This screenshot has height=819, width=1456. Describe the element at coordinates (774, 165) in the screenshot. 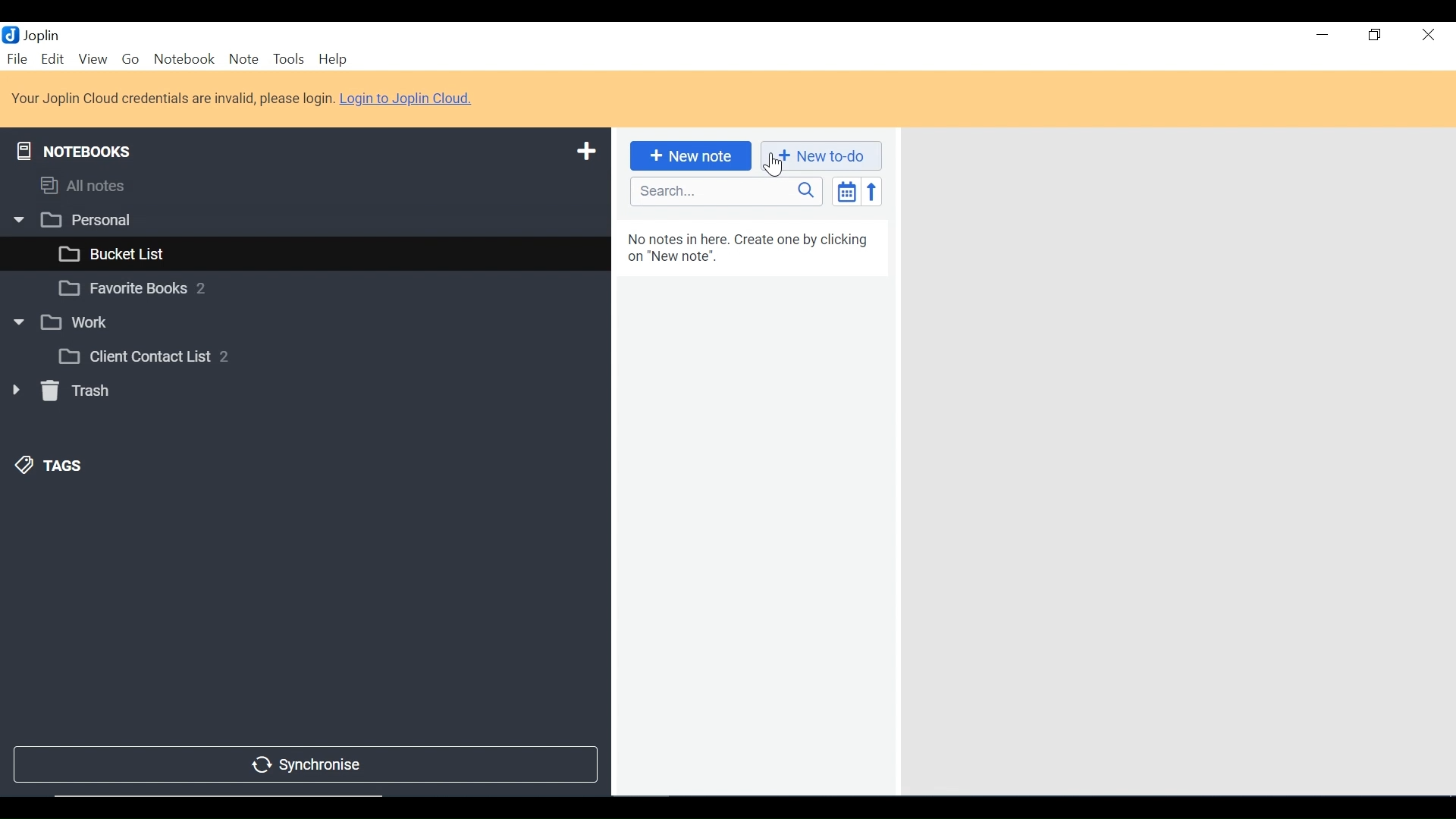

I see `cursor` at that location.